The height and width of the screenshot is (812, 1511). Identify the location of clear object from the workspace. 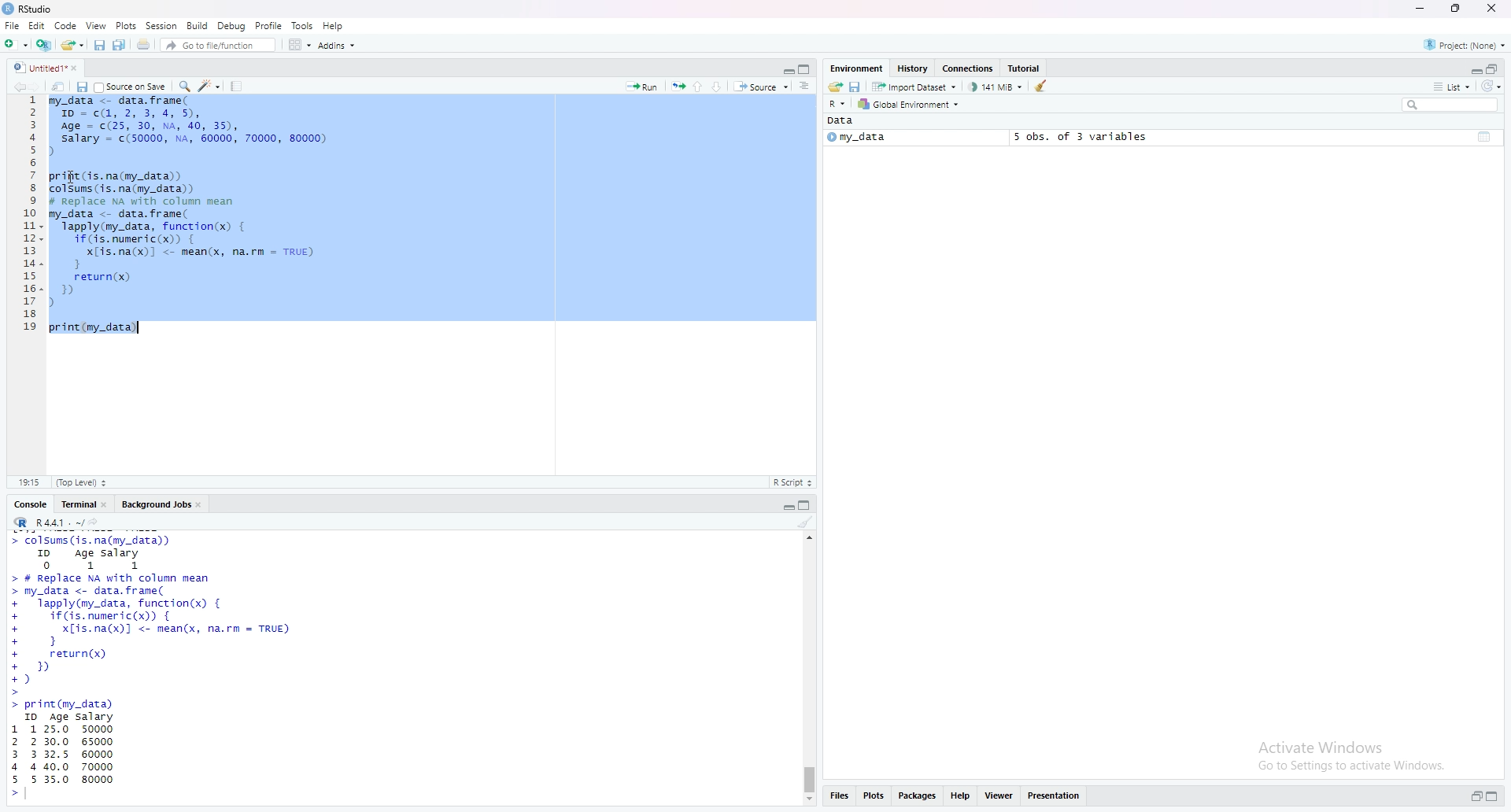
(1042, 86).